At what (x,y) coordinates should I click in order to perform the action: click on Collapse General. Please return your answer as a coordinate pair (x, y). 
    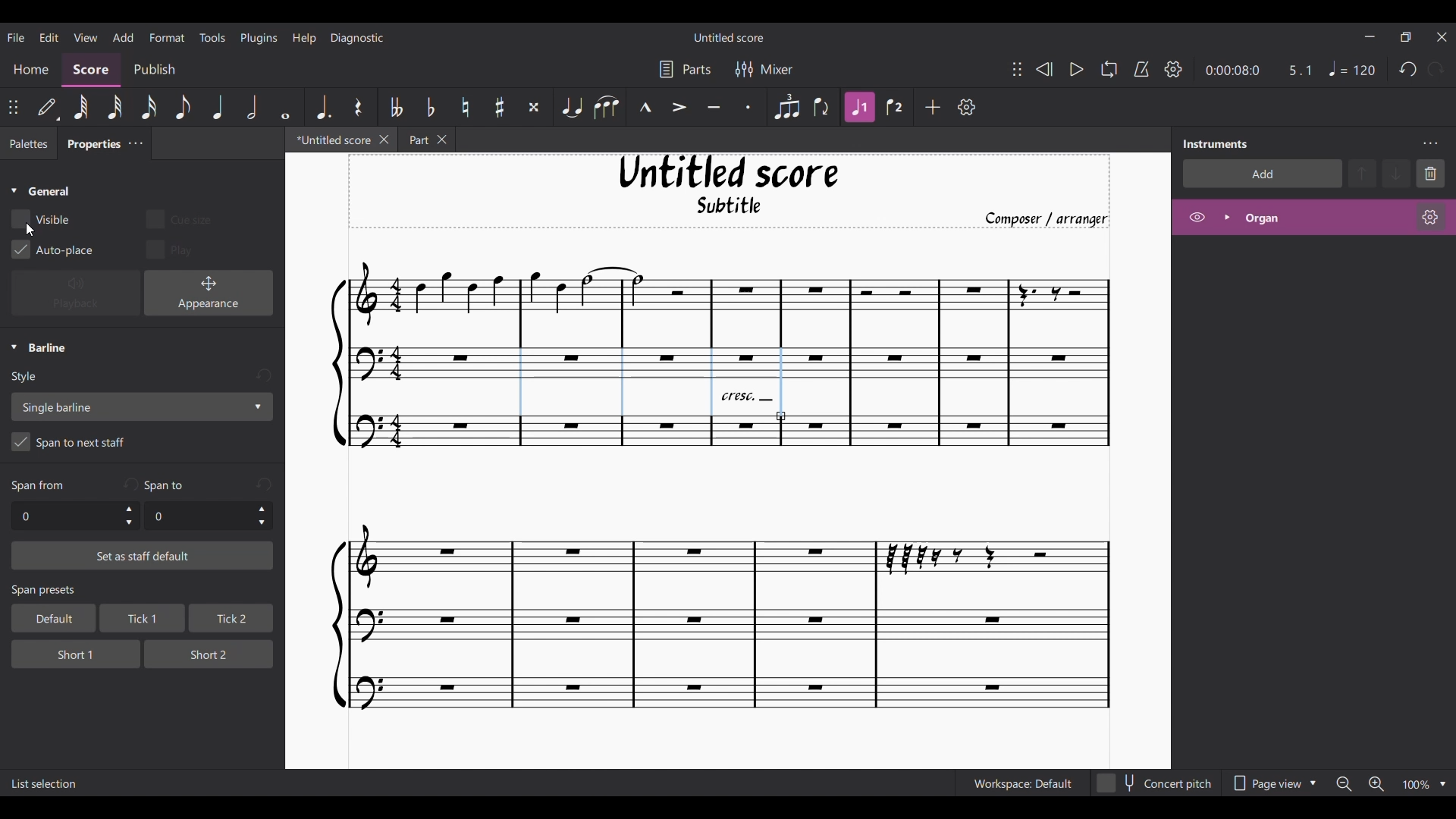
    Looking at the image, I should click on (41, 192).